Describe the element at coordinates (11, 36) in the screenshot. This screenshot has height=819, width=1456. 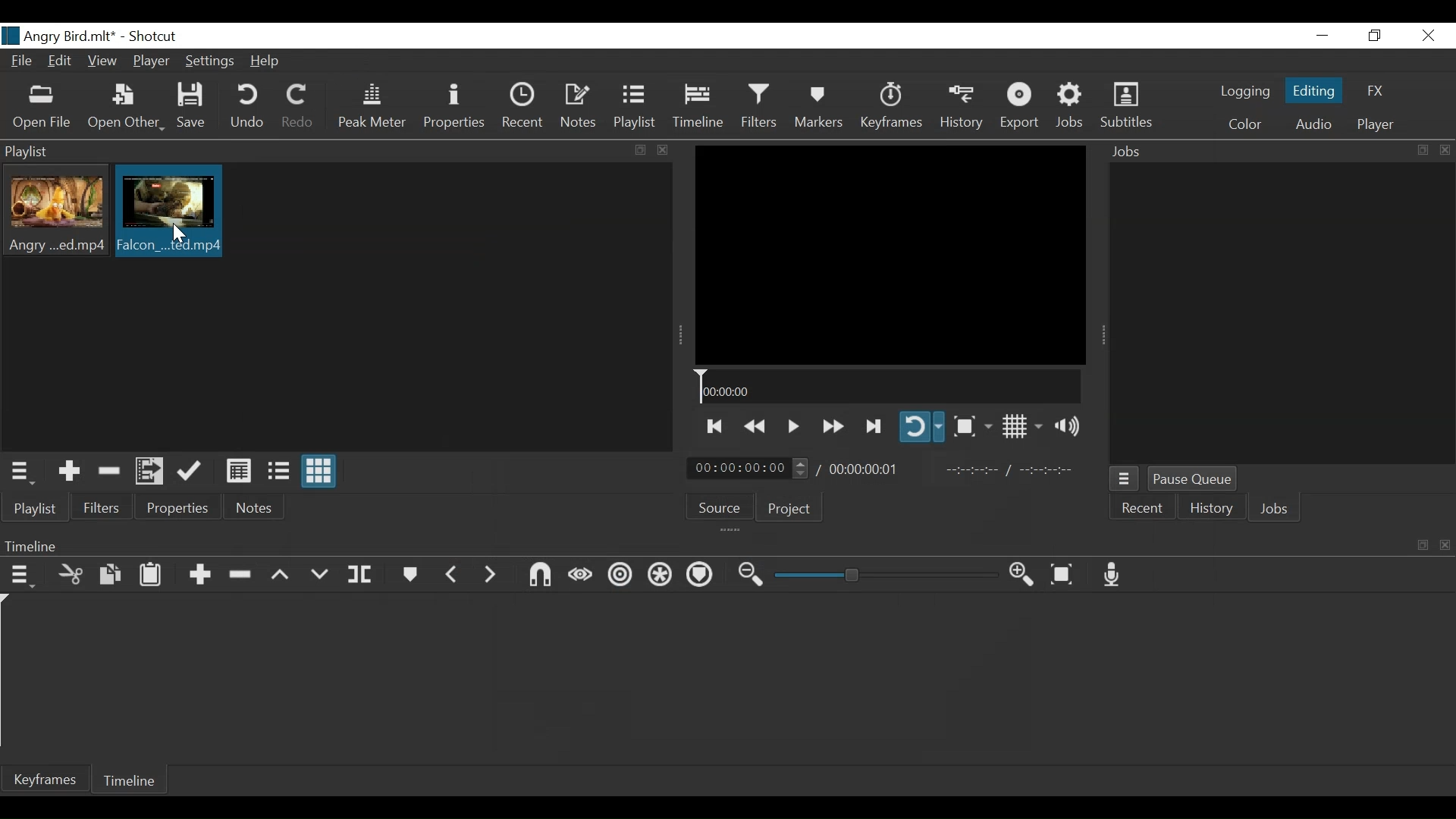
I see `logo` at that location.